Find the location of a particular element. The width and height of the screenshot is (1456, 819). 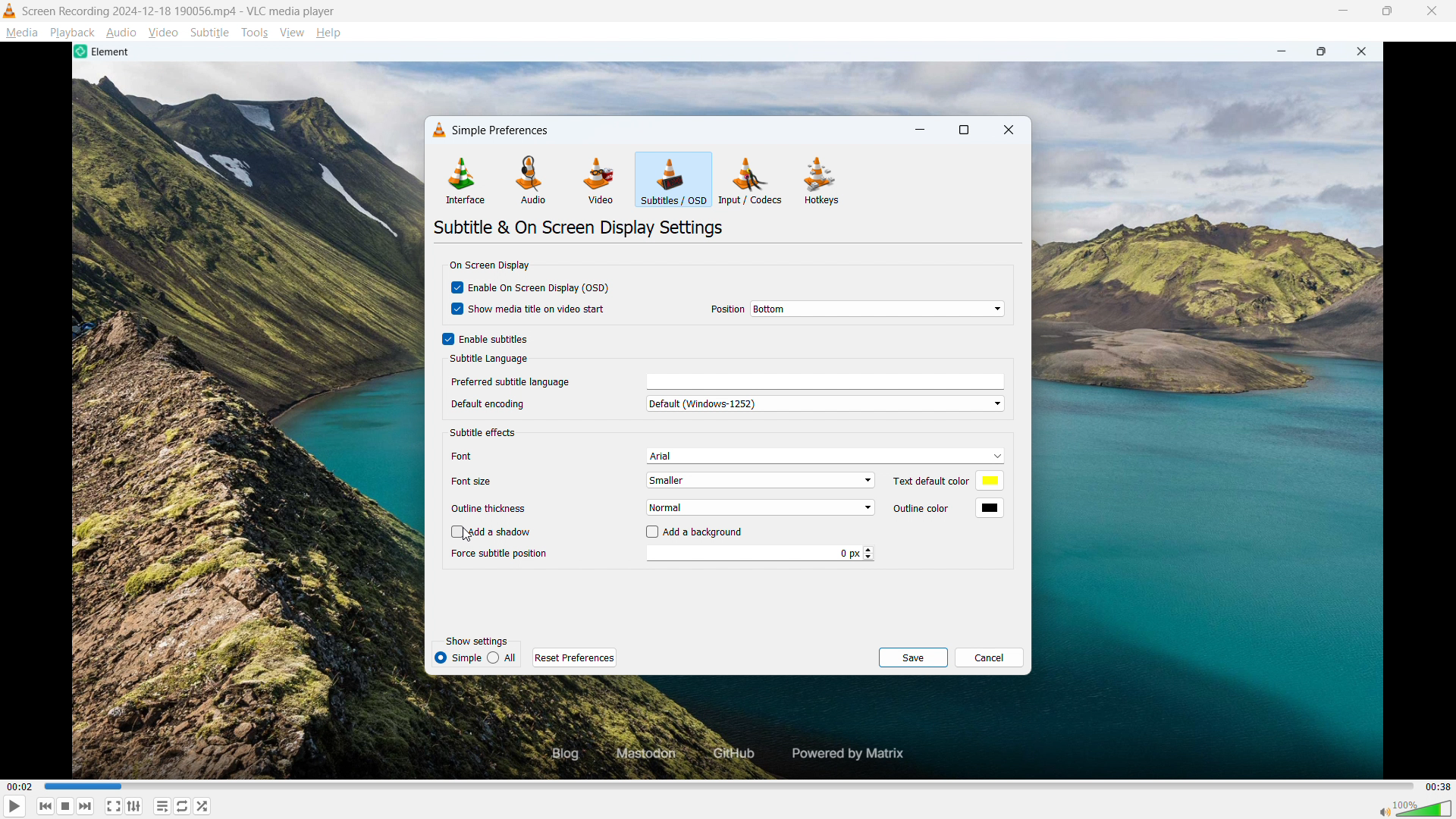

checkbox is located at coordinates (649, 532).